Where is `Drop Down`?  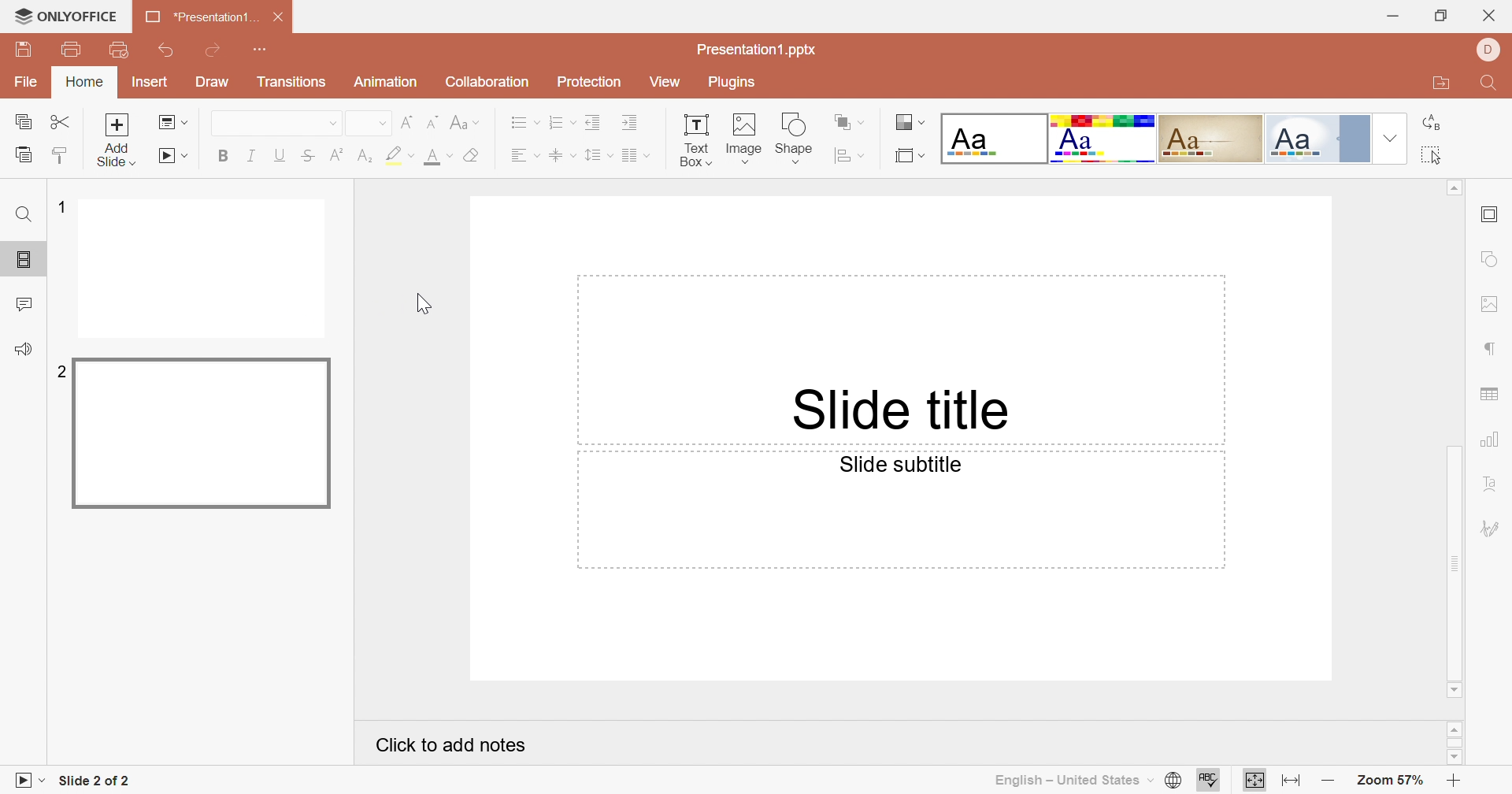
Drop Down is located at coordinates (411, 154).